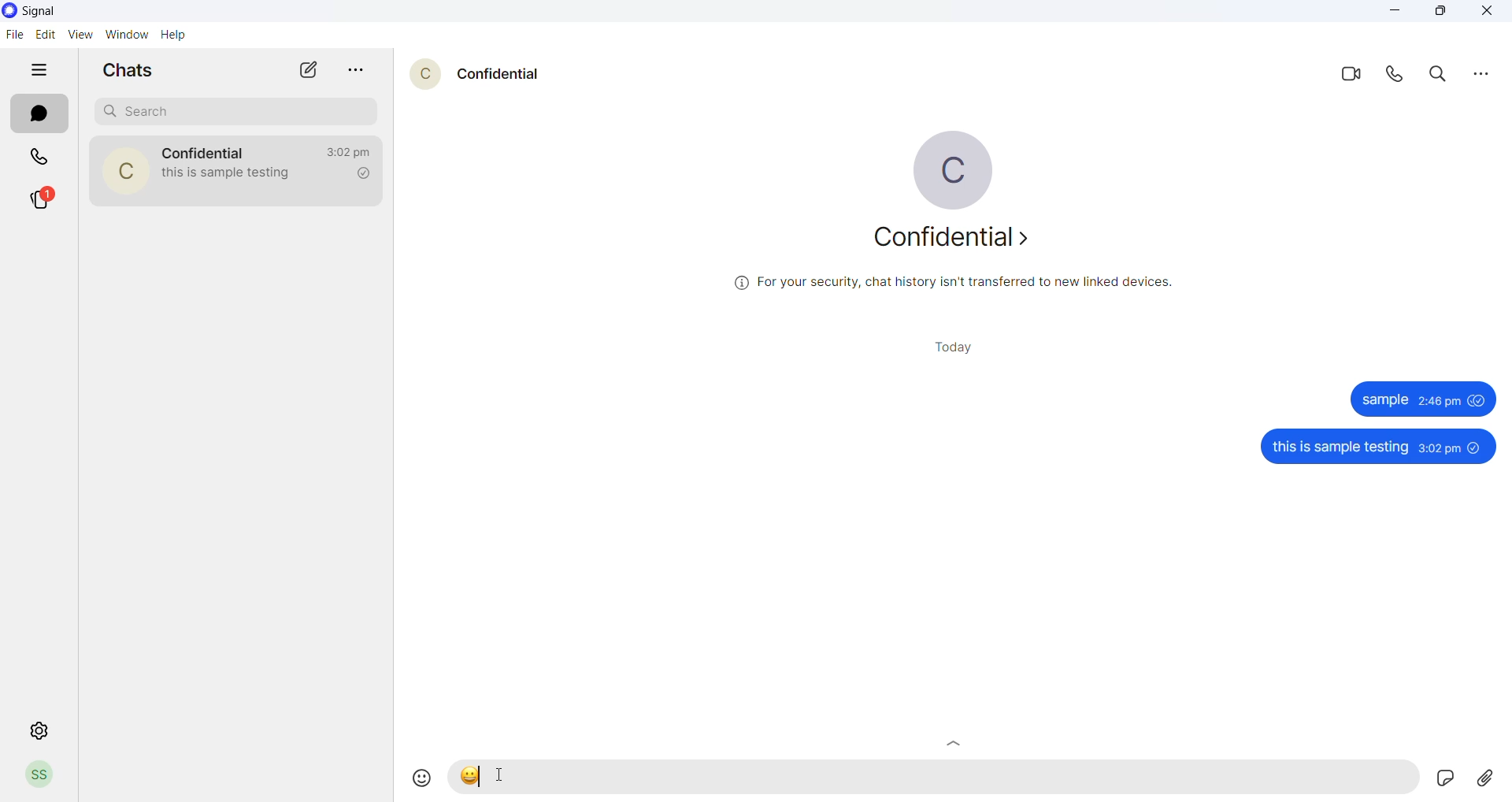 This screenshot has width=1512, height=802. What do you see at coordinates (1439, 401) in the screenshot?
I see `2:46 pm` at bounding box center [1439, 401].